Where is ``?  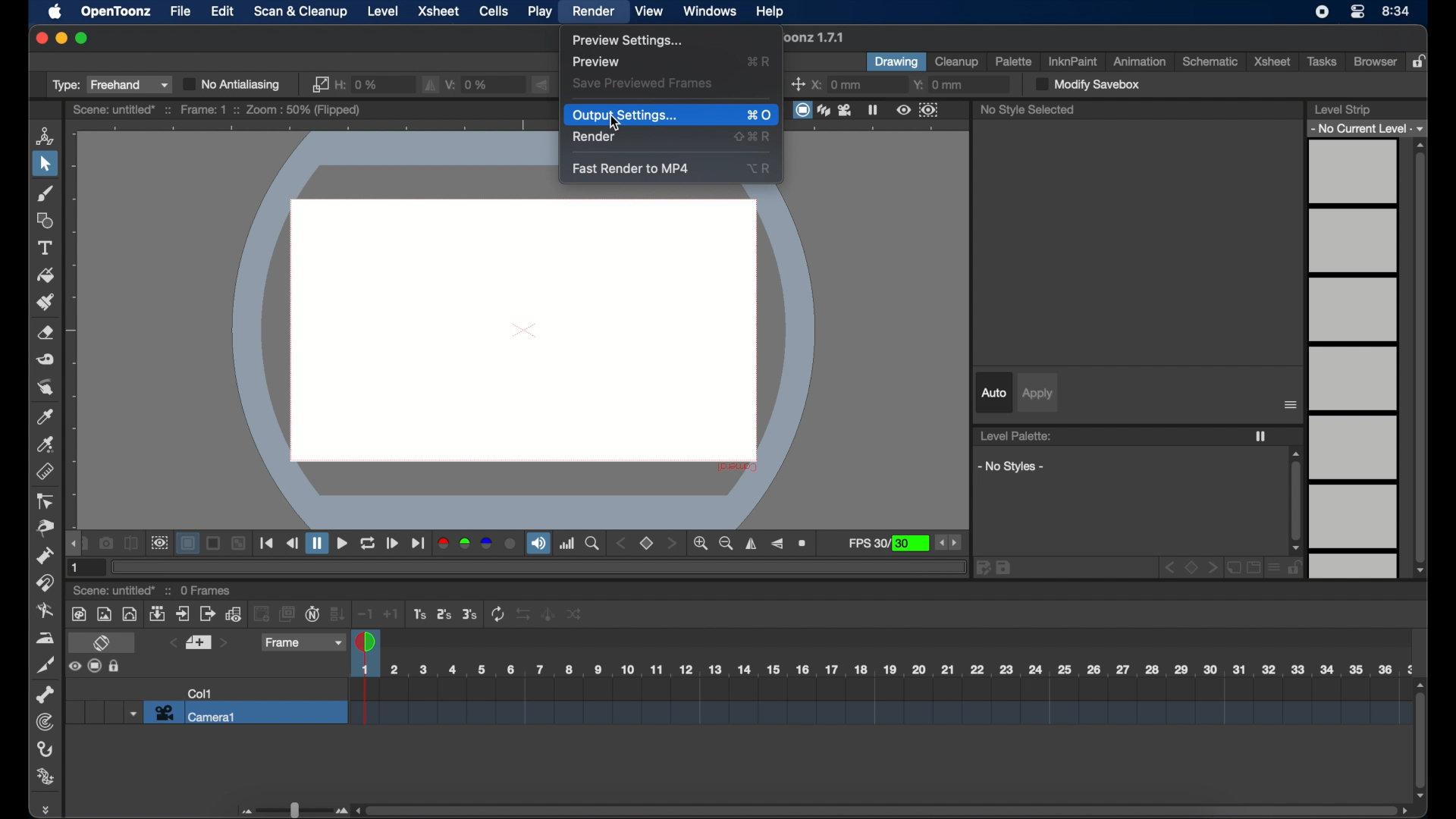  is located at coordinates (132, 614).